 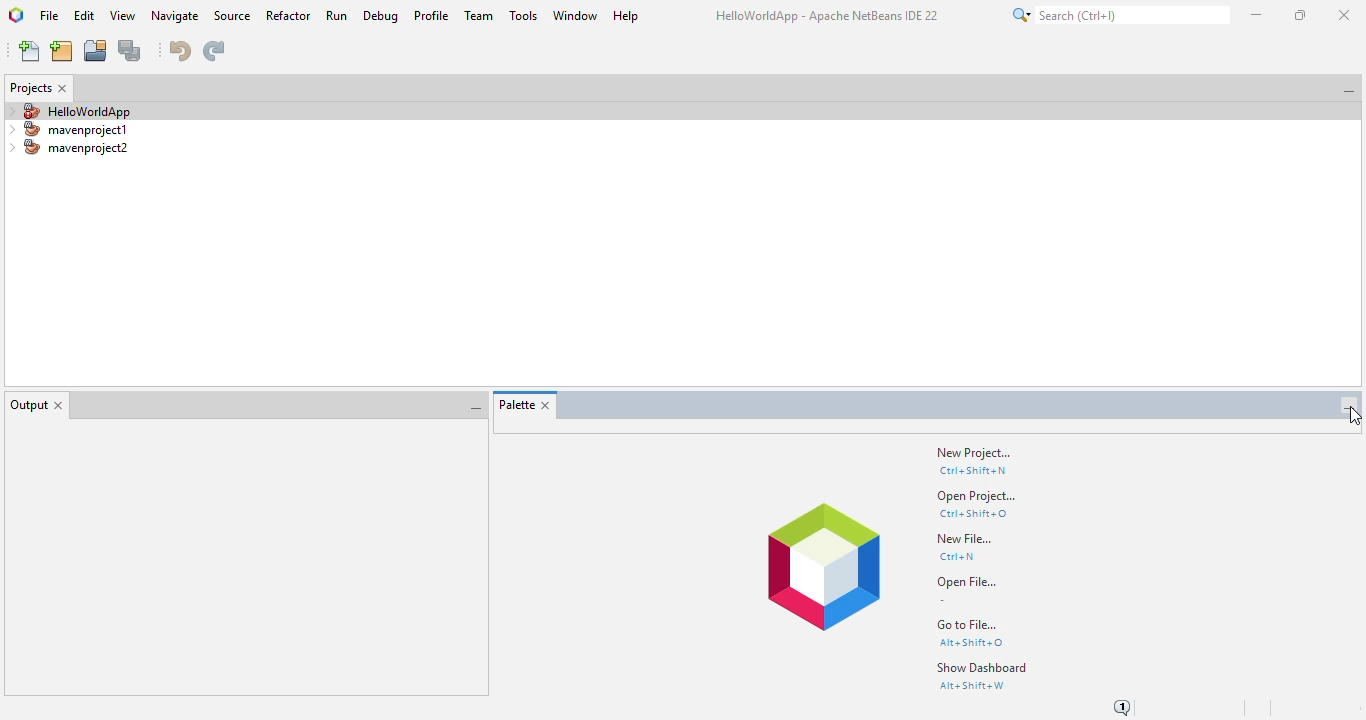 I want to click on shortcut for open project, so click(x=975, y=514).